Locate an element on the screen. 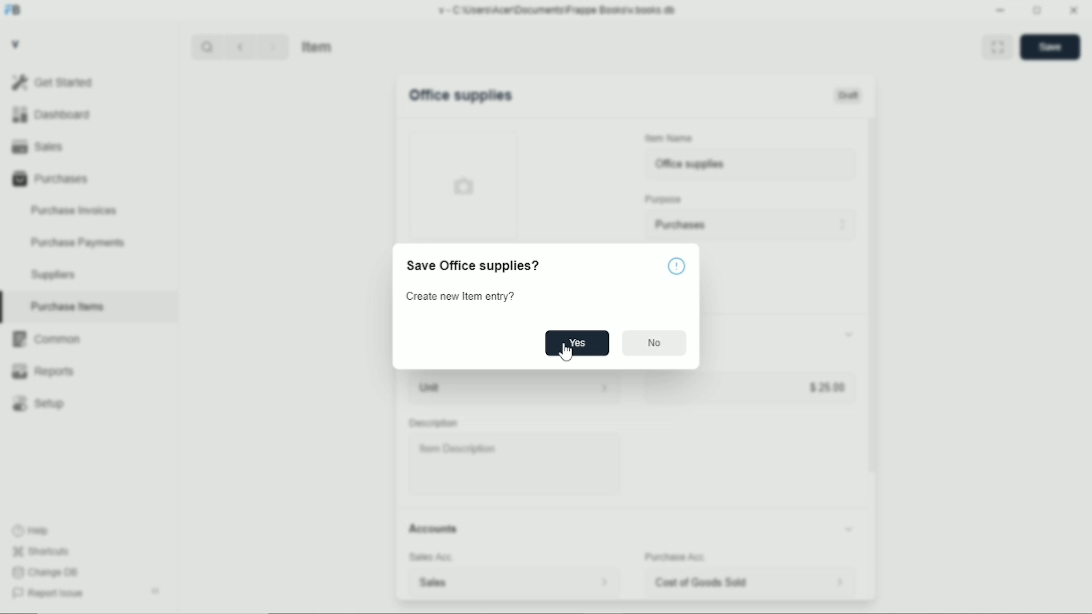 This screenshot has height=614, width=1092. sales acc. is located at coordinates (432, 557).